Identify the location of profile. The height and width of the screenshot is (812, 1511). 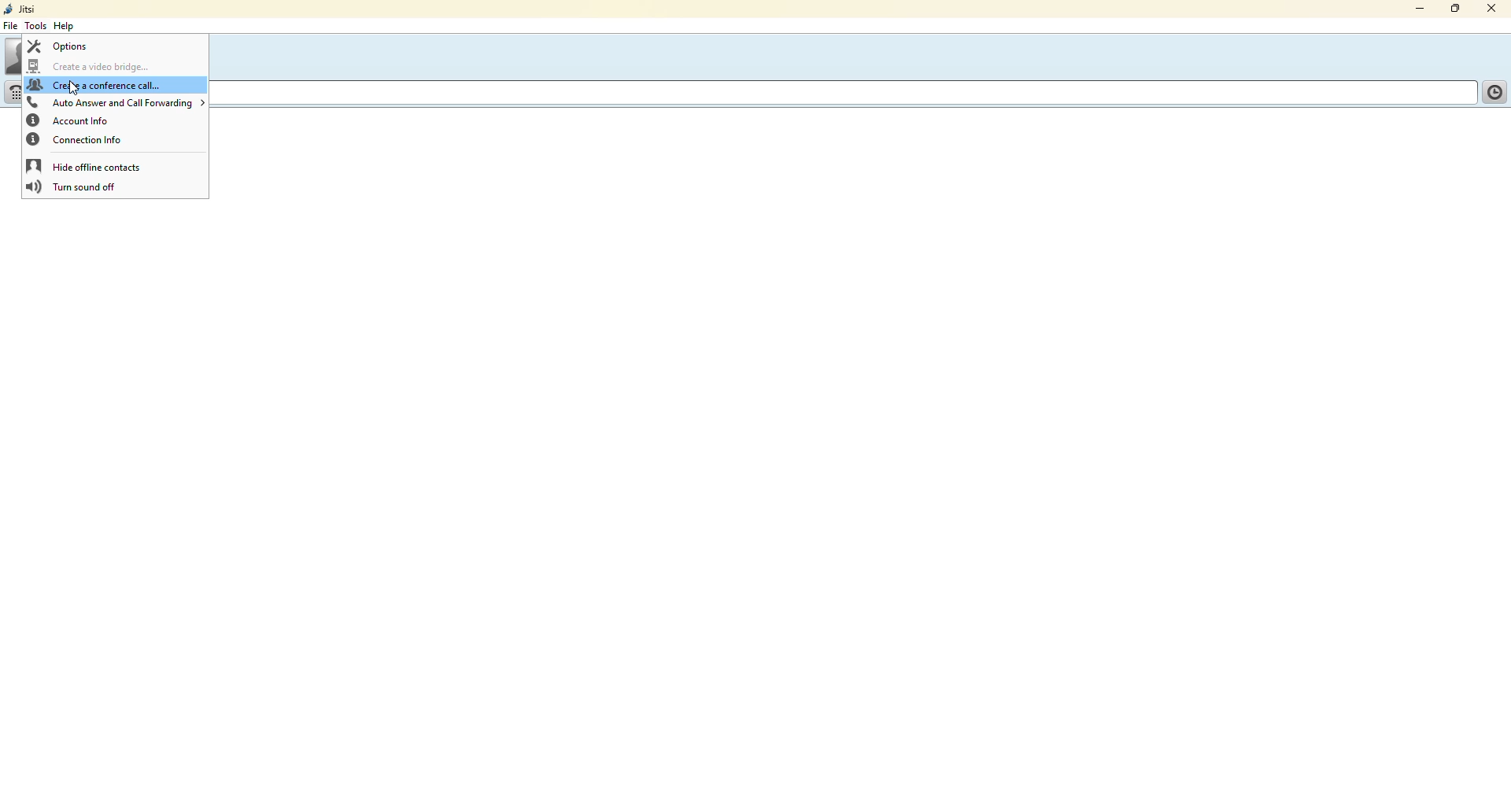
(9, 56).